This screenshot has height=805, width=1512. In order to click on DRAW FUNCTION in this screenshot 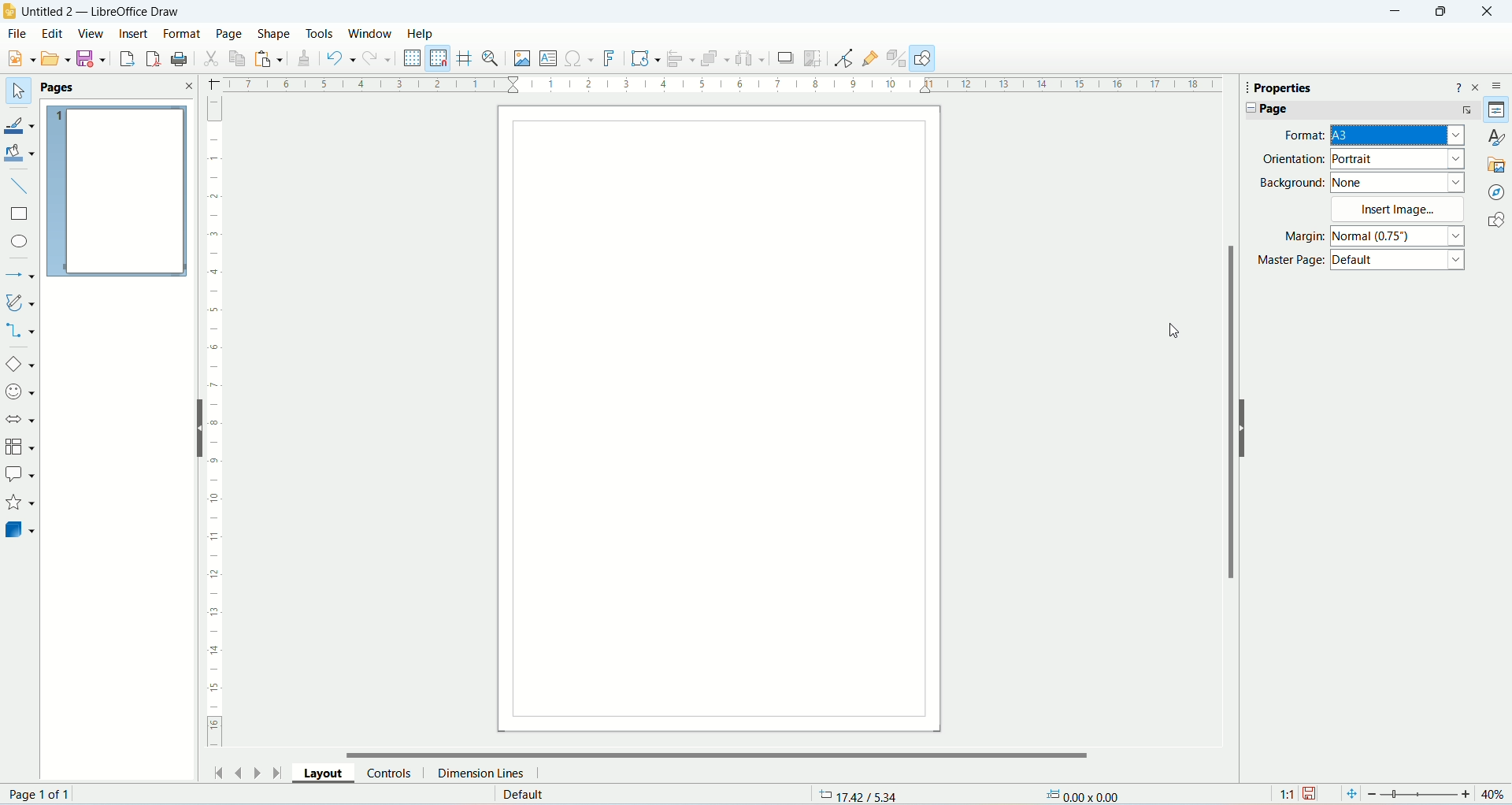, I will do `click(922, 58)`.